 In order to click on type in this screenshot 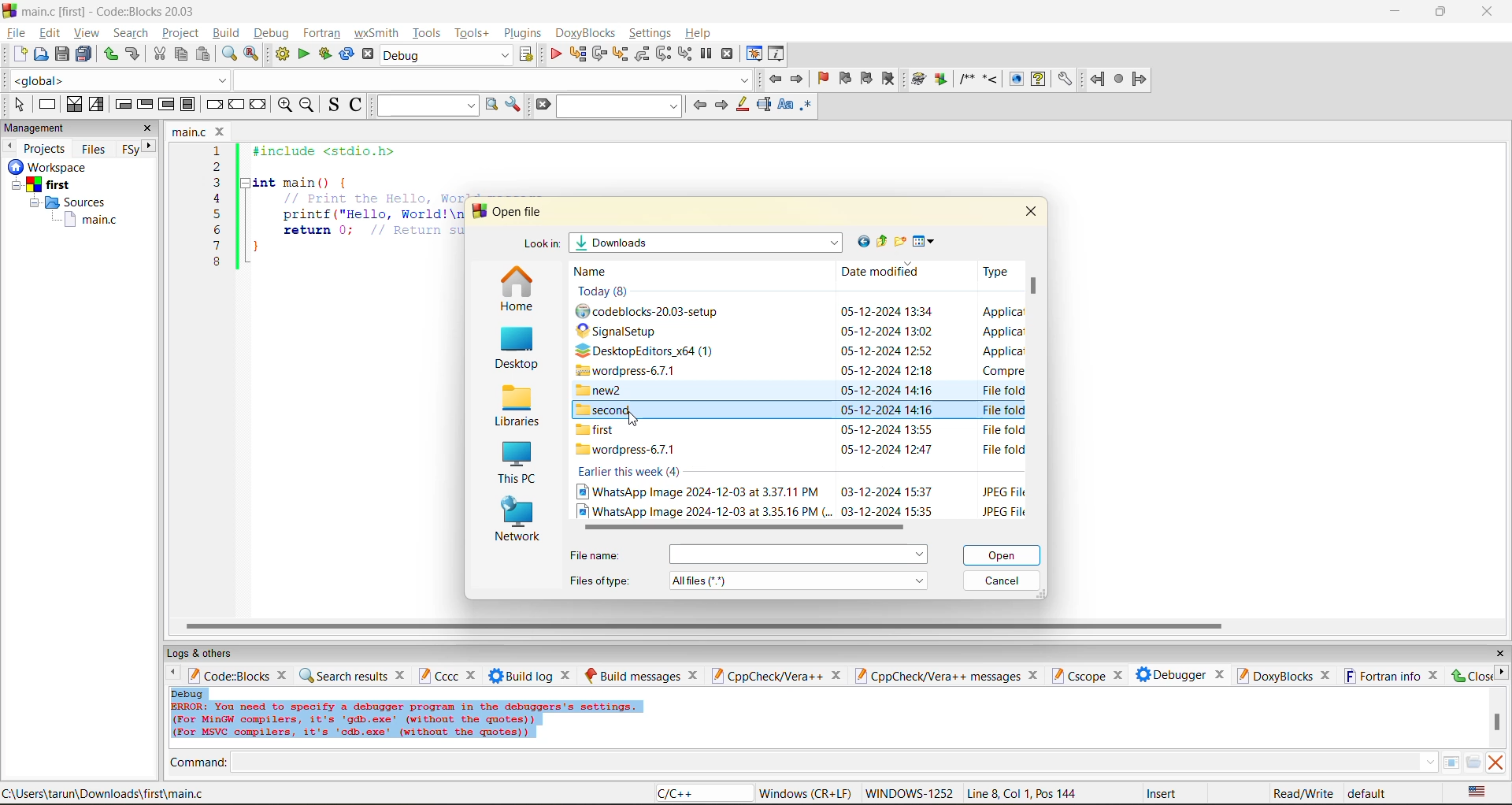, I will do `click(1003, 491)`.